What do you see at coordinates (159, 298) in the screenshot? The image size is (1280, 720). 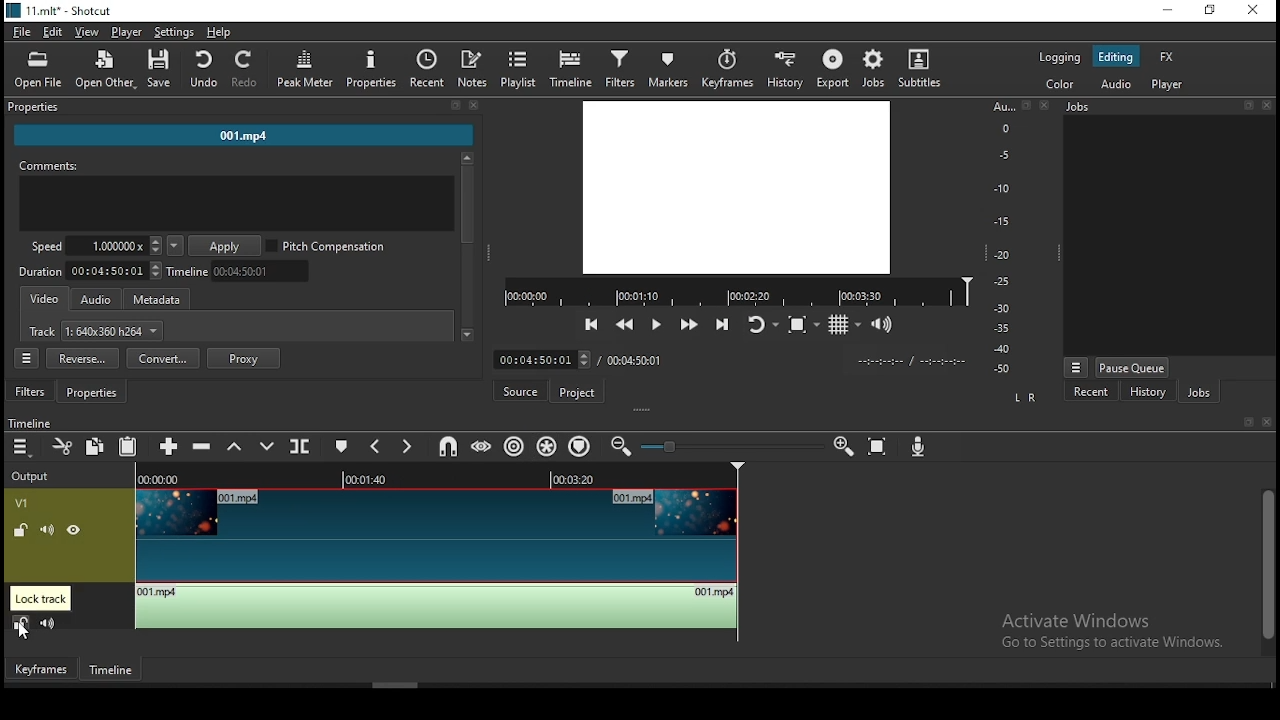 I see `metadata` at bounding box center [159, 298].